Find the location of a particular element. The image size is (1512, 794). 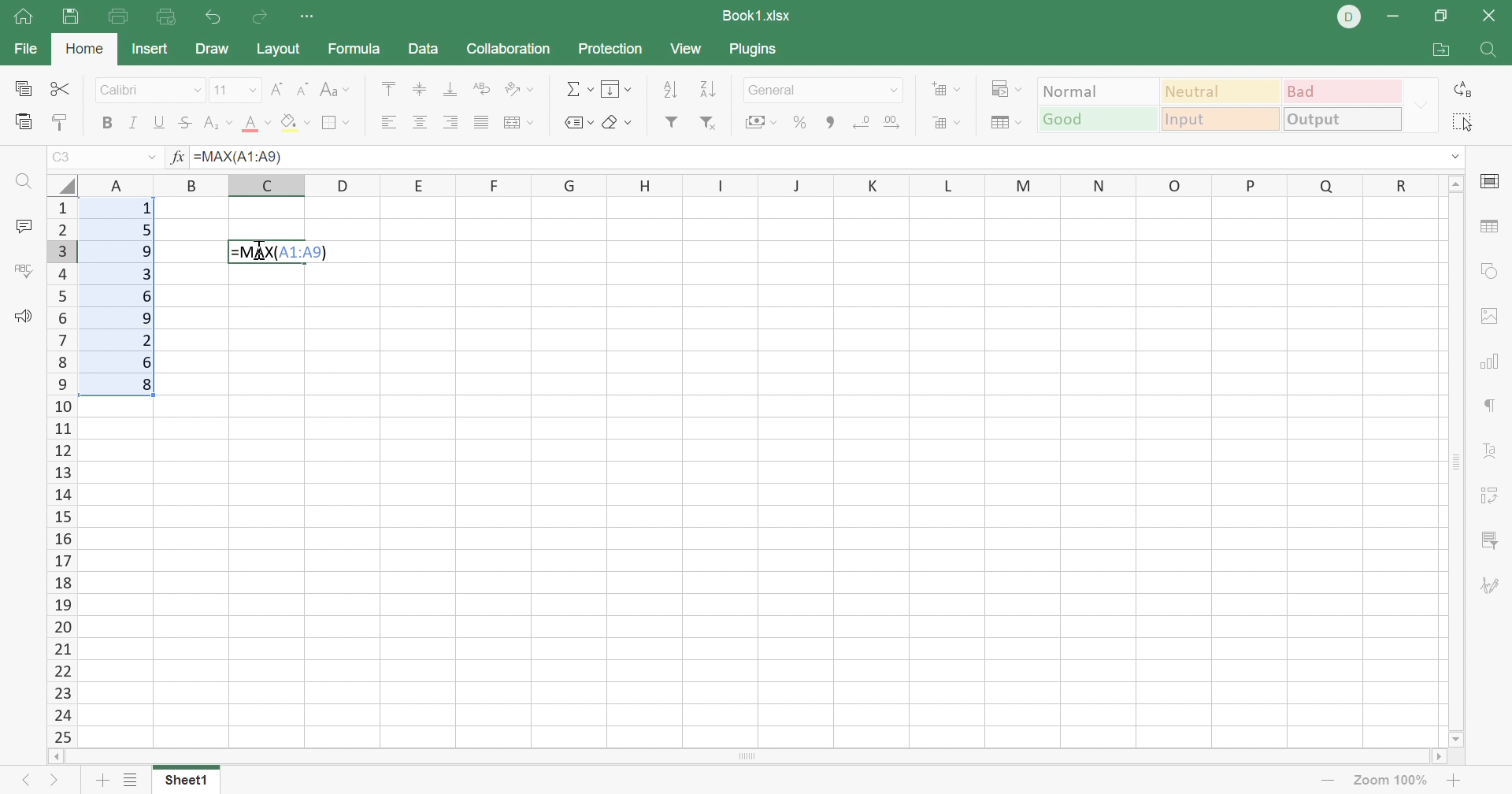

Drop Down is located at coordinates (198, 90).